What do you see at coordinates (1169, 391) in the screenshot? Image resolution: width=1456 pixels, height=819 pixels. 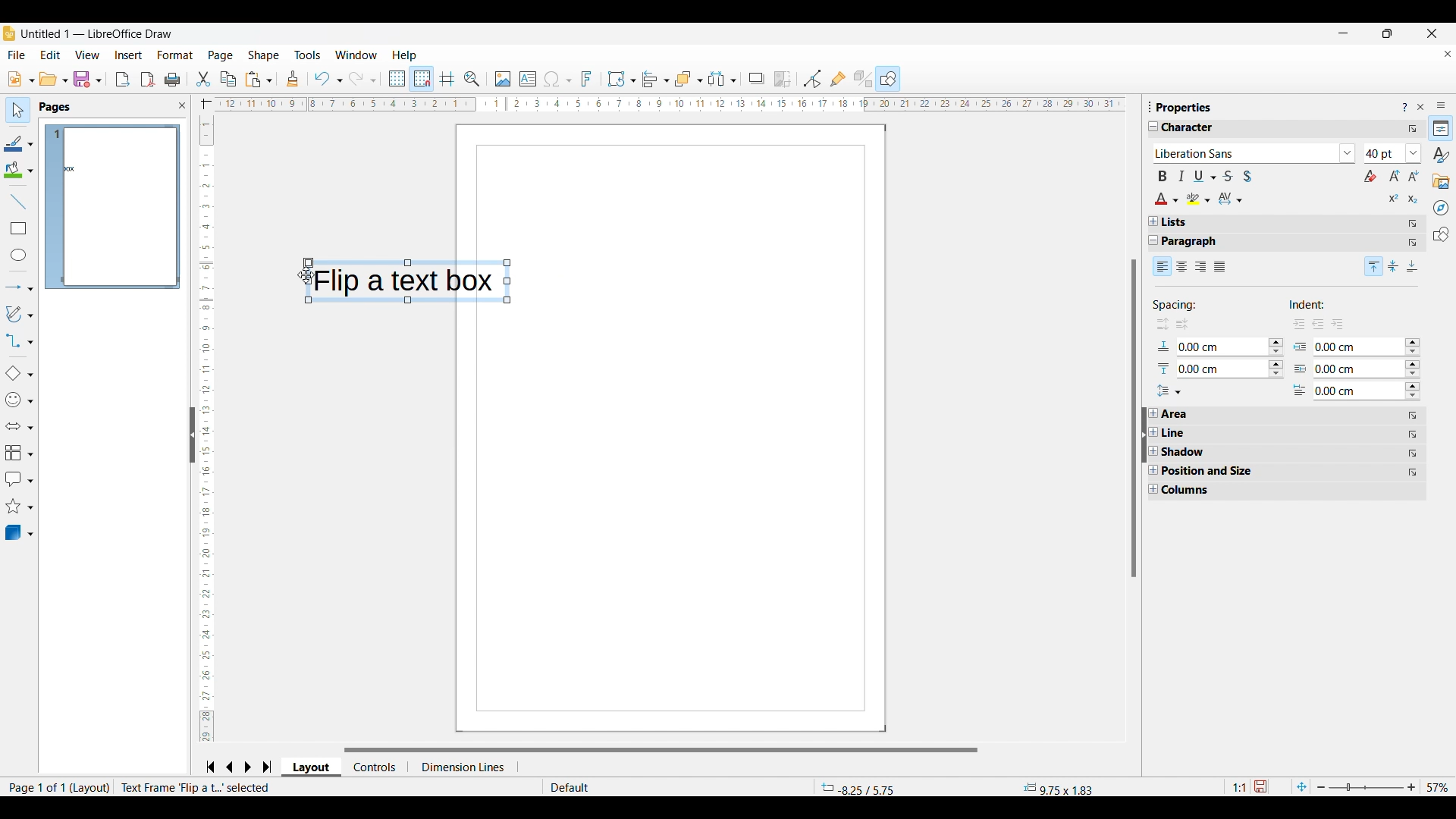 I see `Set line spacing options` at bounding box center [1169, 391].